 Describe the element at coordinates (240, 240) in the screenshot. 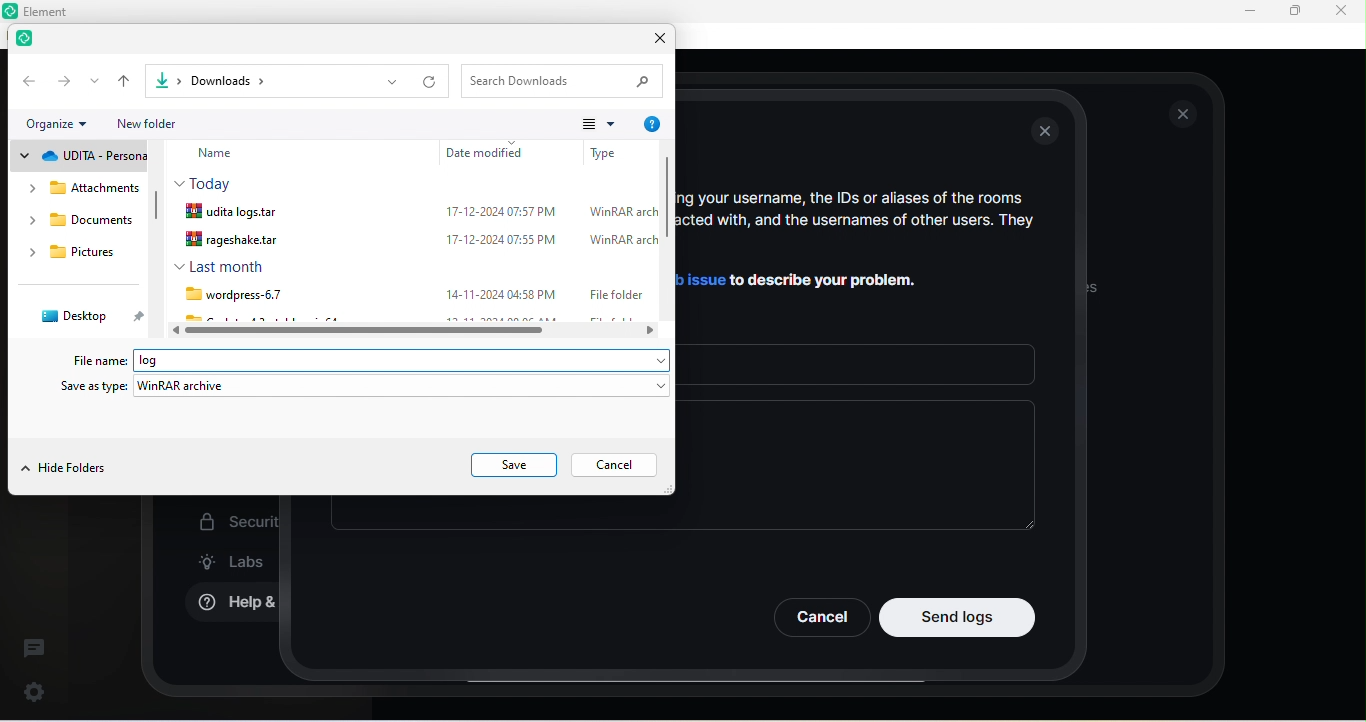

I see `rageshake.tar` at that location.